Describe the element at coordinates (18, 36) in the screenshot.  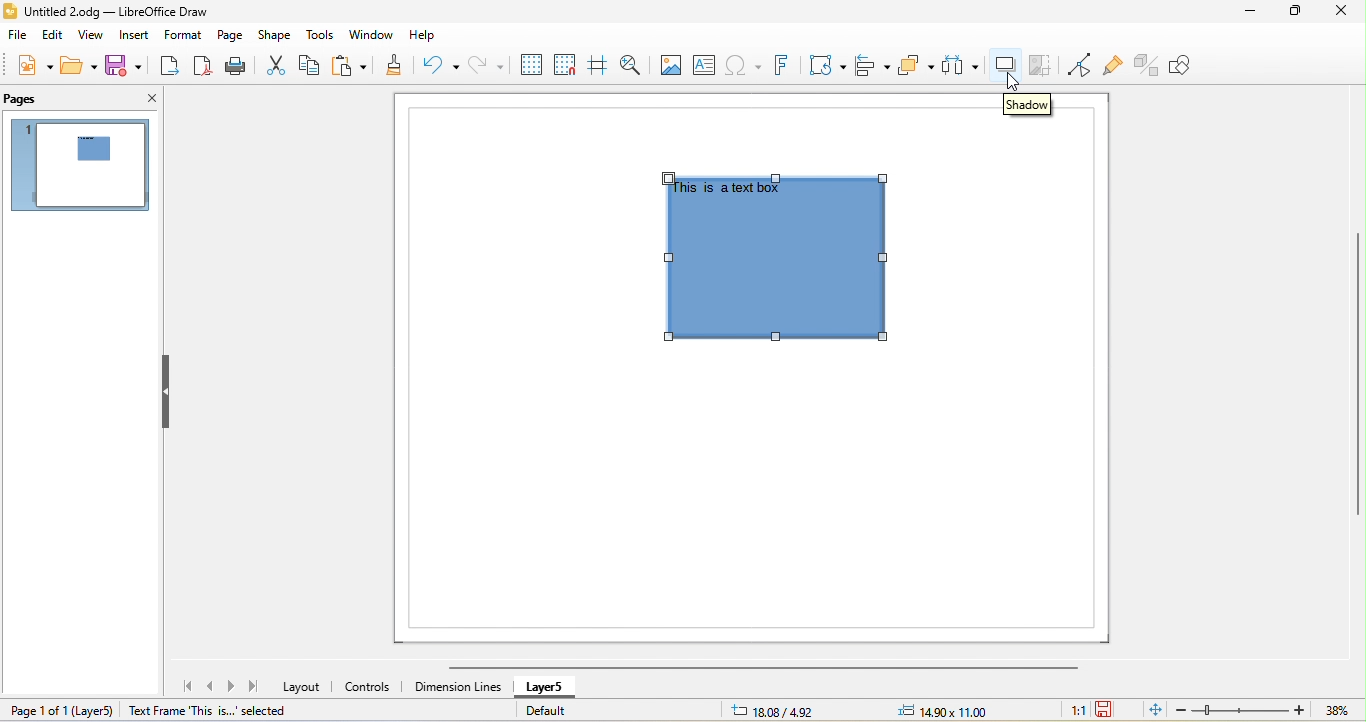
I see `file` at that location.